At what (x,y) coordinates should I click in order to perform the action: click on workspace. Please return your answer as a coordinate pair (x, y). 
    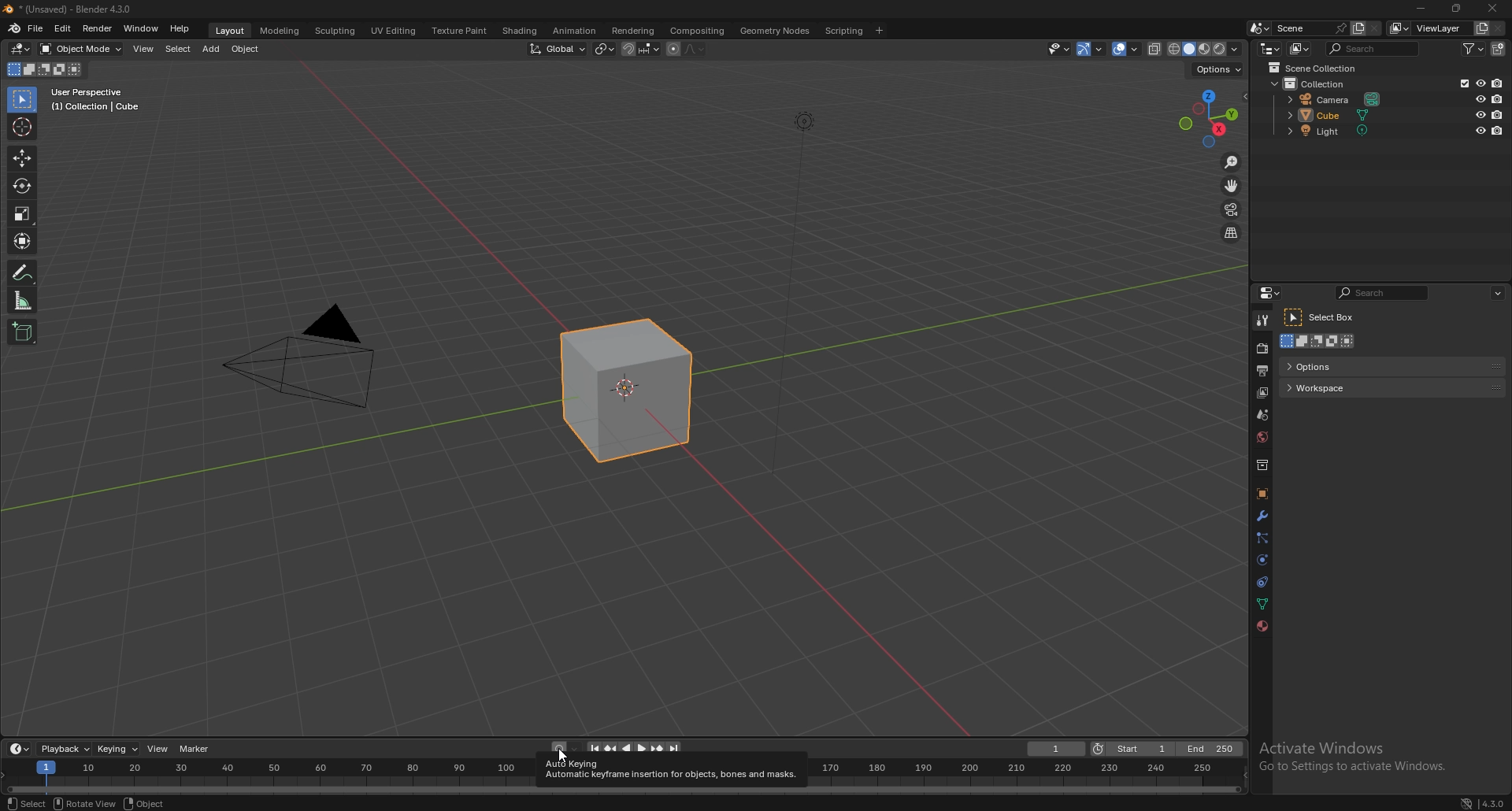
    Looking at the image, I should click on (1392, 387).